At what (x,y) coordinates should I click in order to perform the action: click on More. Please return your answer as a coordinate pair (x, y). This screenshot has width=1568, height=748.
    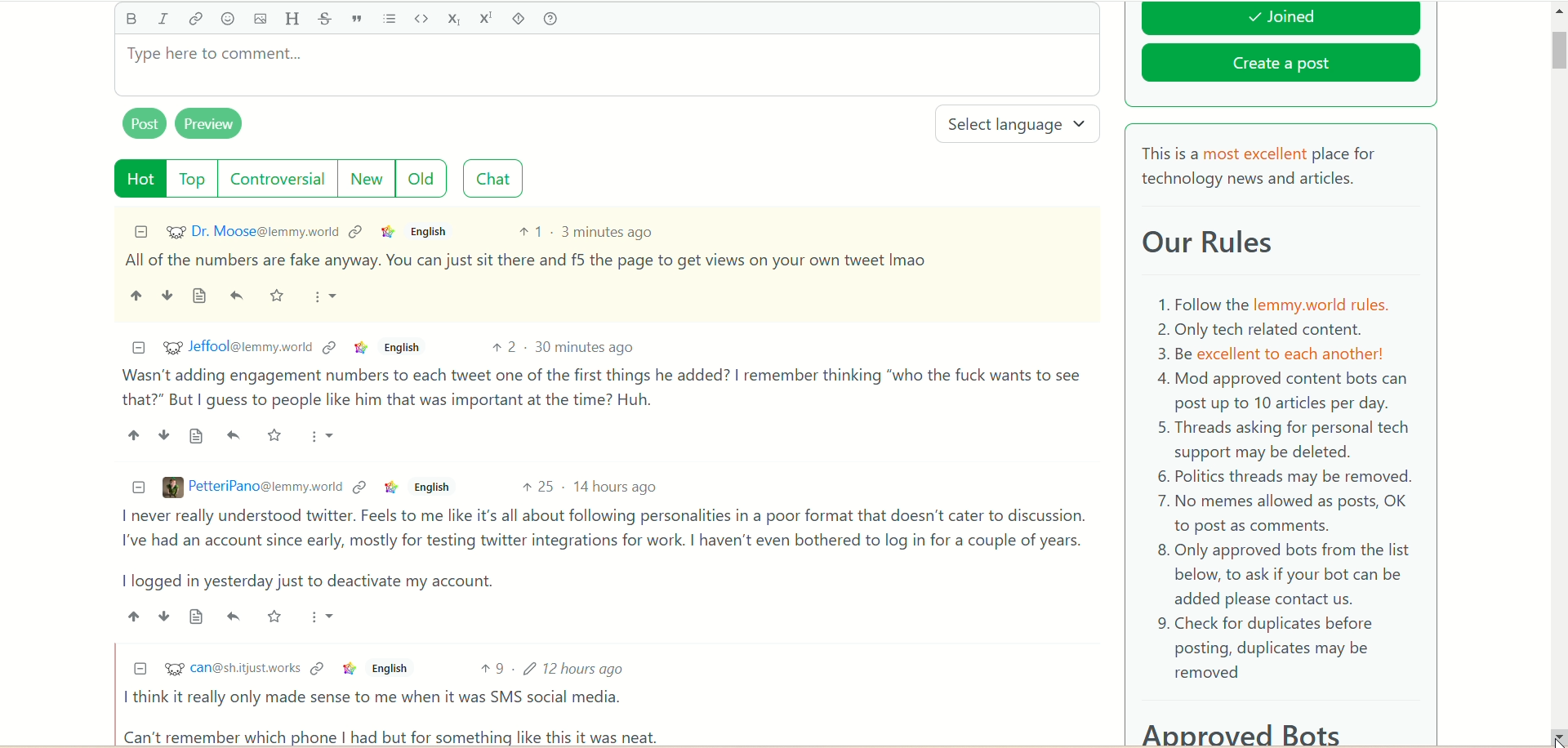
    Looking at the image, I should click on (327, 297).